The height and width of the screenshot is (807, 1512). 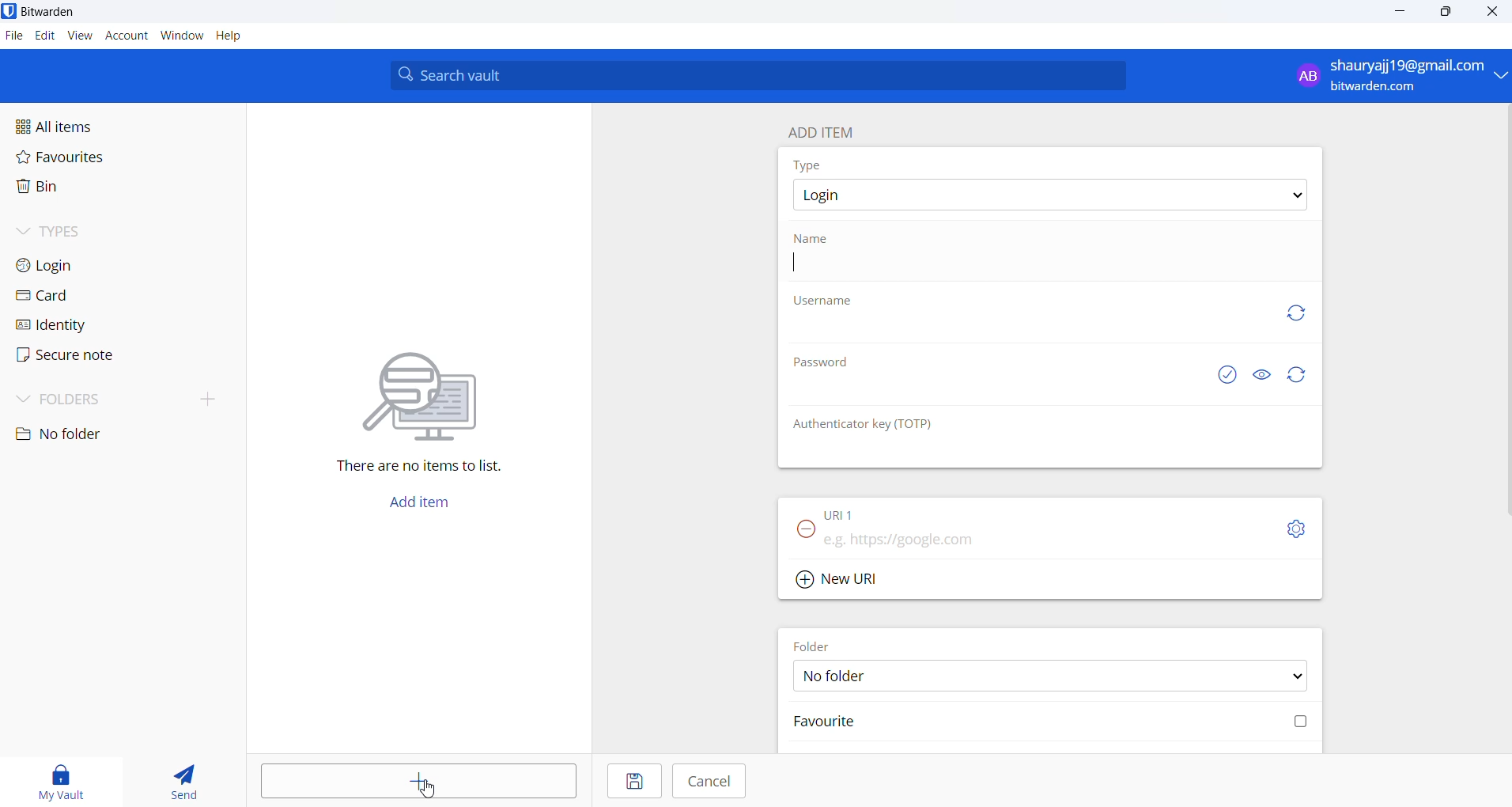 What do you see at coordinates (409, 468) in the screenshot?
I see `sentence mentioning that there are no items in vault l` at bounding box center [409, 468].